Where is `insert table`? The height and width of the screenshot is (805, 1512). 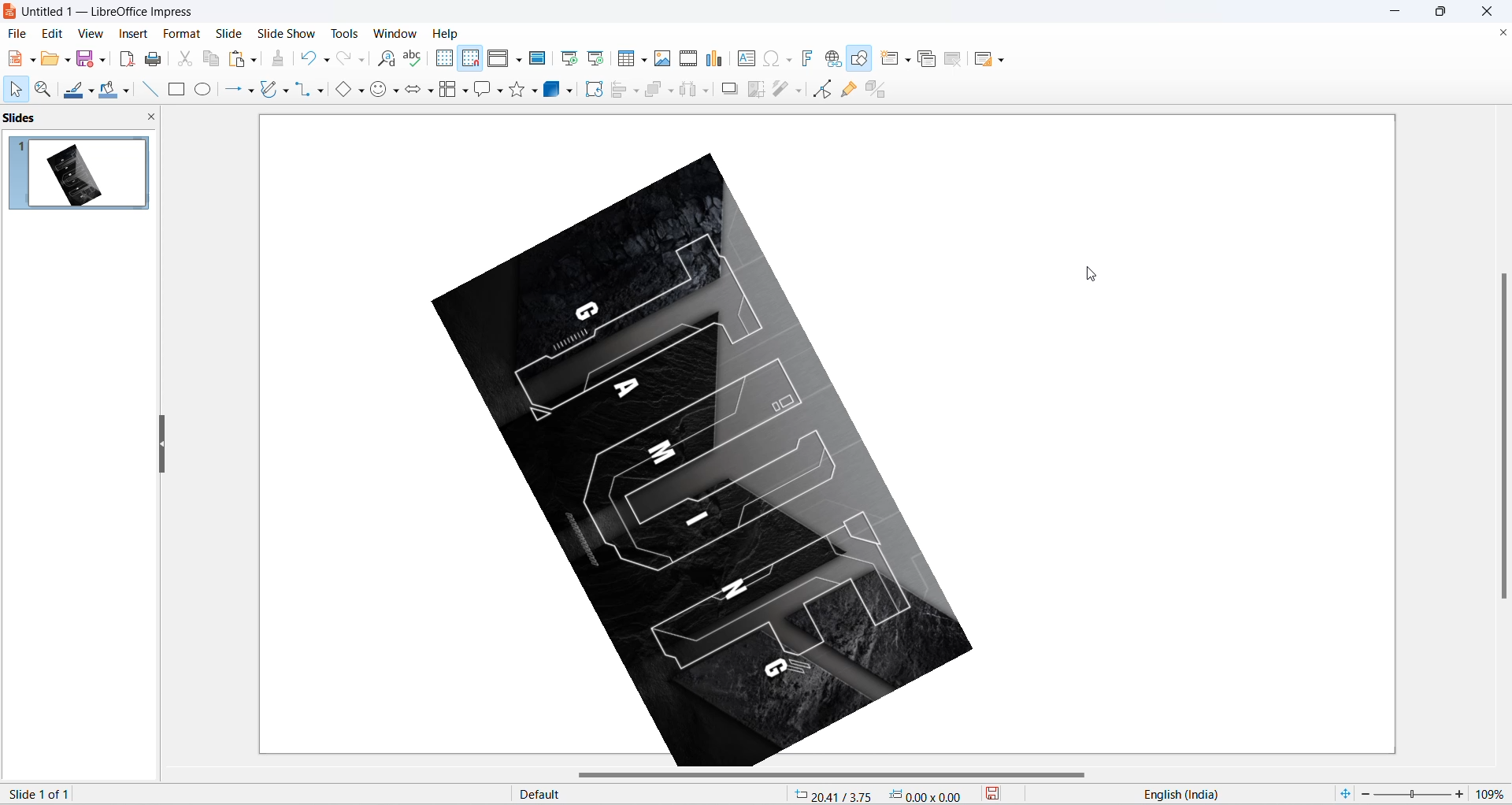
insert table is located at coordinates (627, 59).